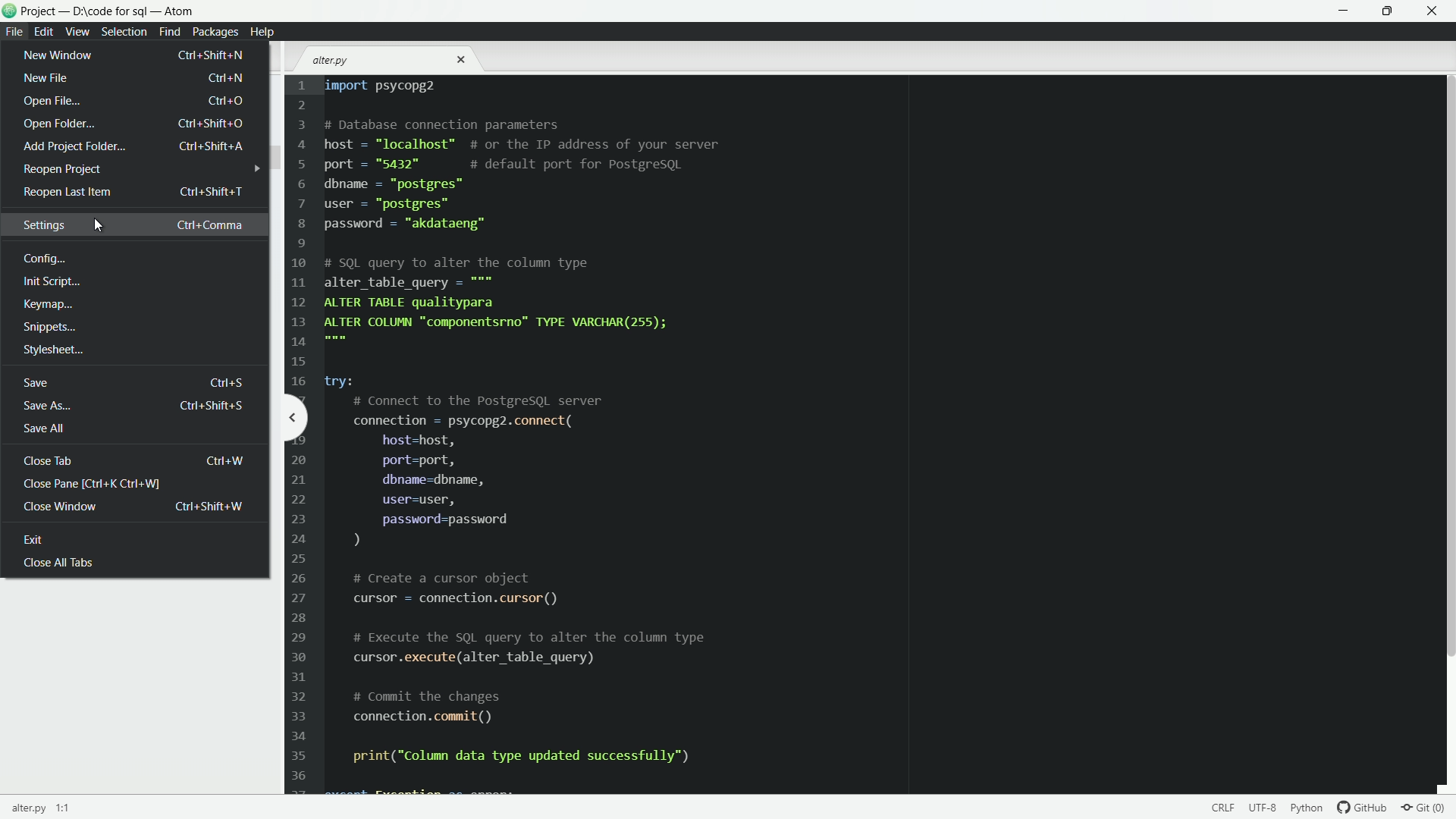 The height and width of the screenshot is (819, 1456). I want to click on select end line of code sequence, so click(1263, 807).